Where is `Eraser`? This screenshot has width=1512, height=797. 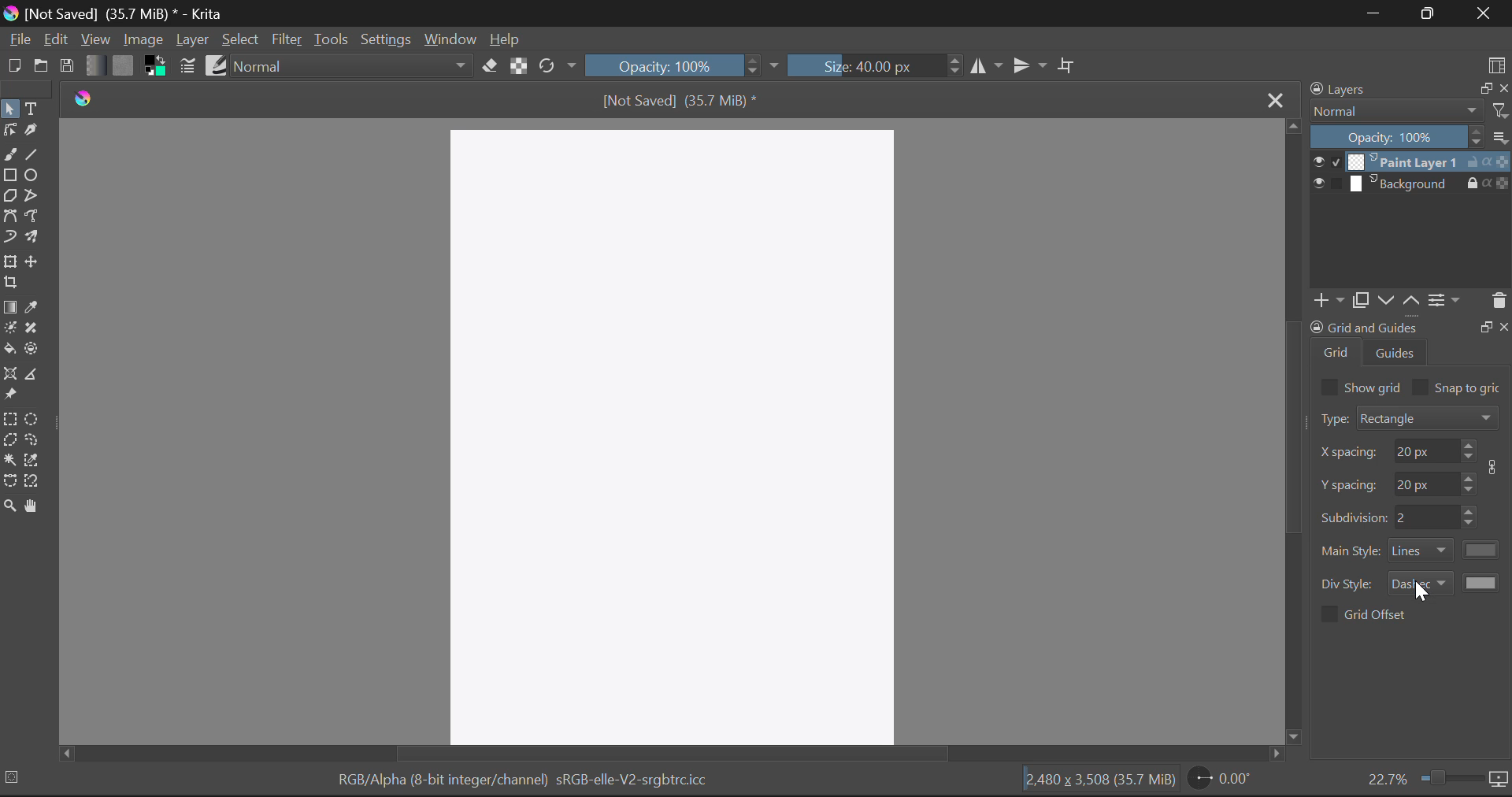
Eraser is located at coordinates (490, 66).